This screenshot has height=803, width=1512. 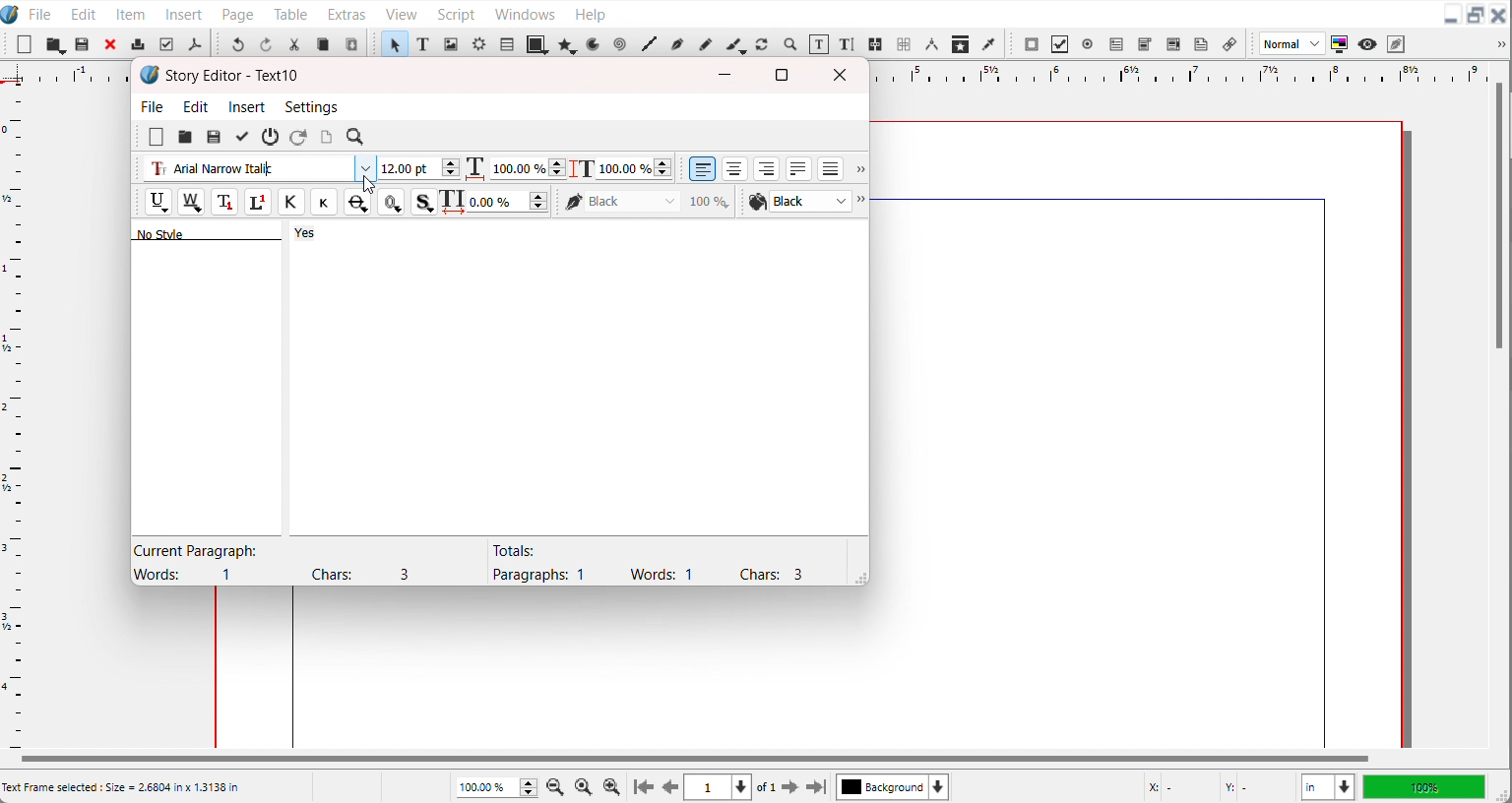 I want to click on Bezier curve, so click(x=676, y=44).